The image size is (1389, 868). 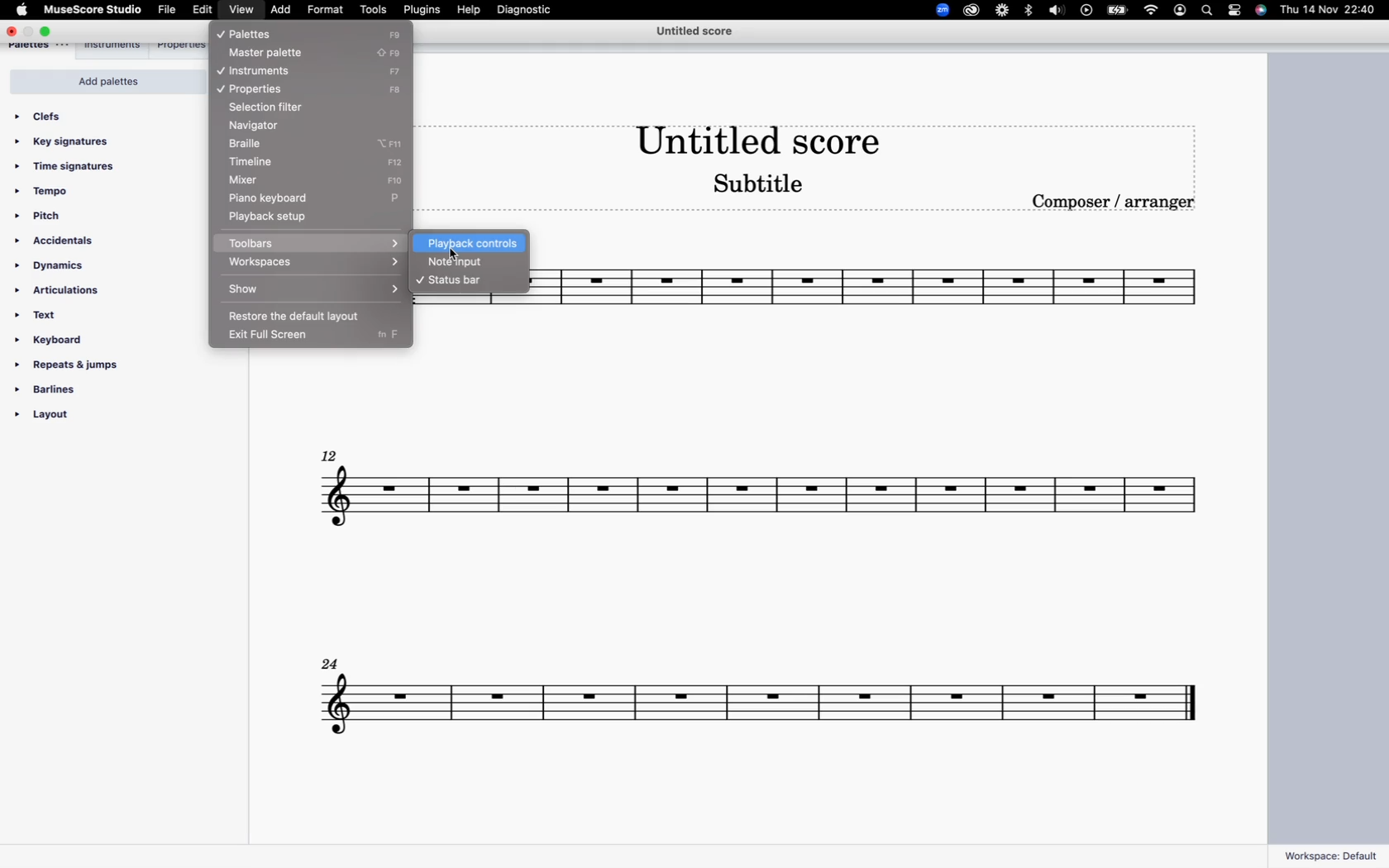 What do you see at coordinates (49, 217) in the screenshot?
I see `pitch` at bounding box center [49, 217].